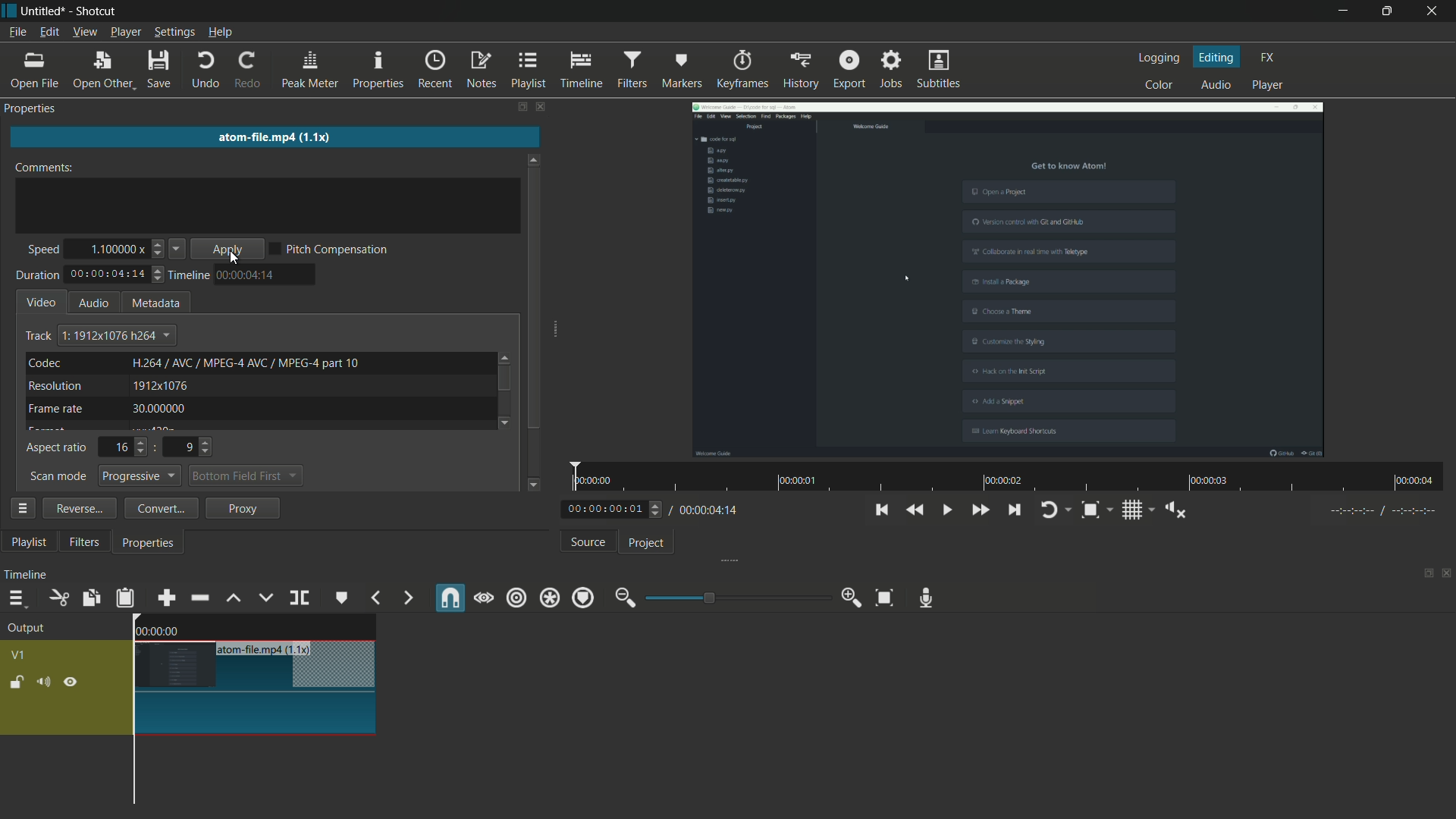  Describe the element at coordinates (356, 177) in the screenshot. I see `cursor` at that location.